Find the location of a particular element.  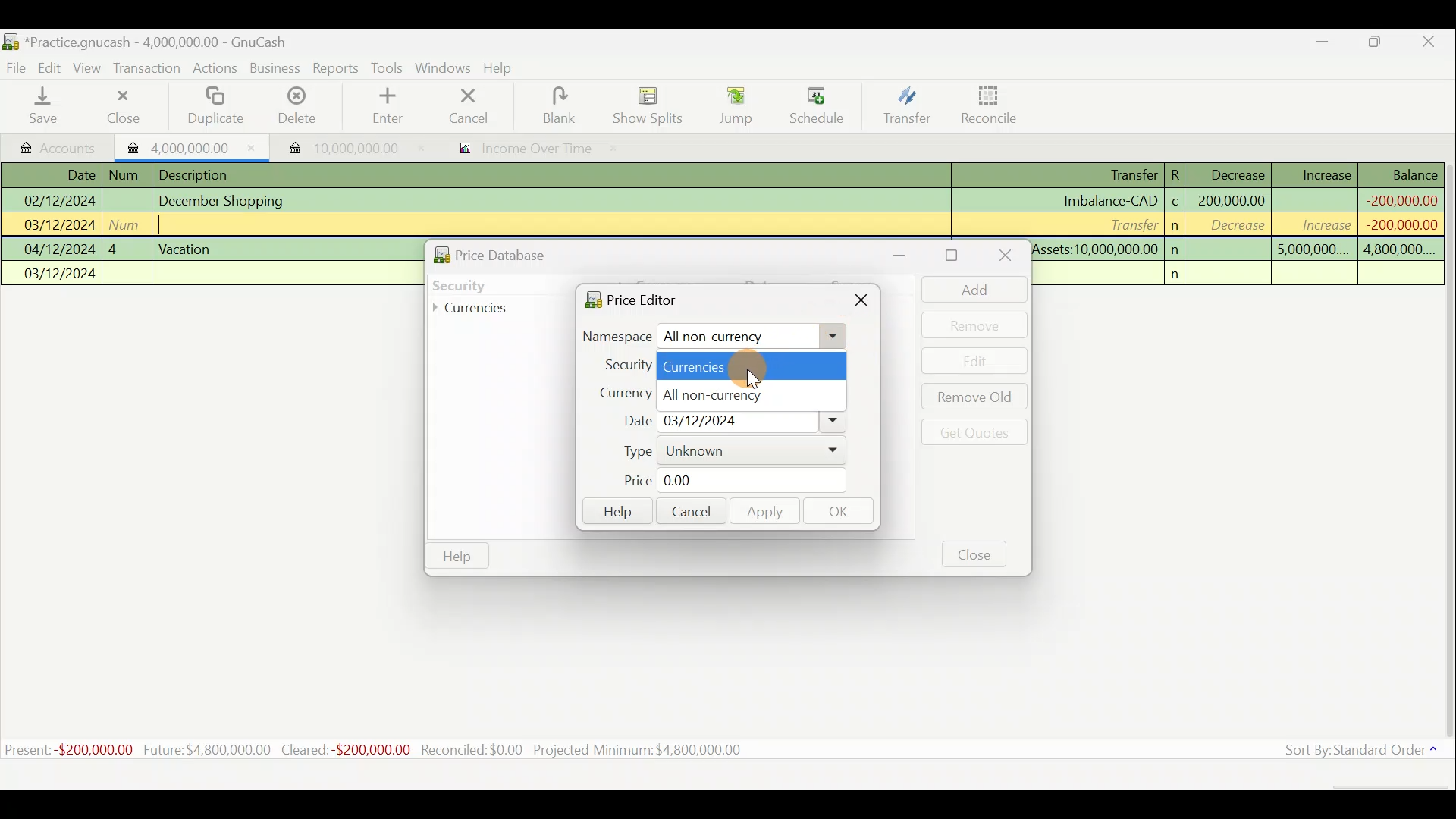

Tools is located at coordinates (388, 67).